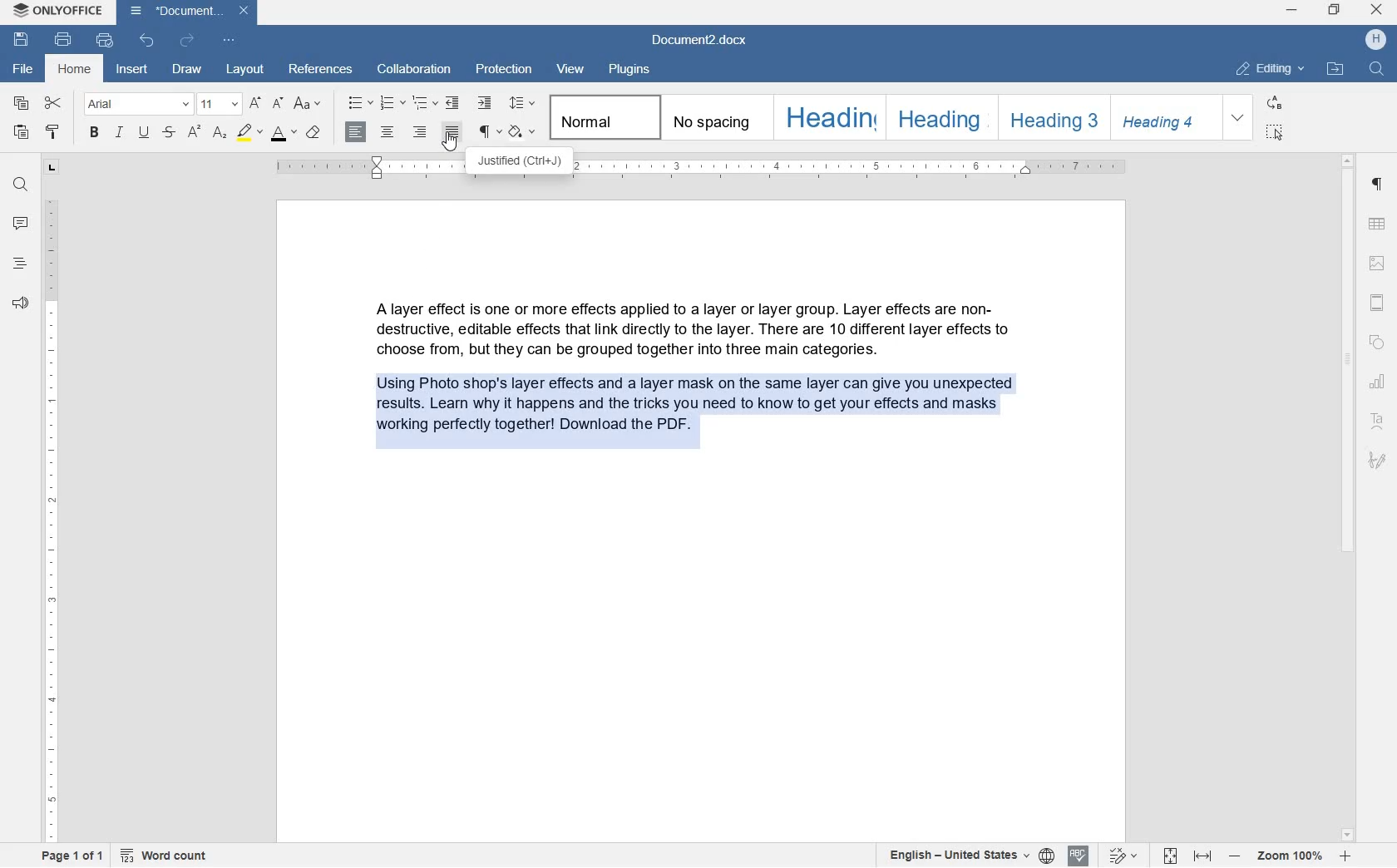 This screenshot has width=1397, height=868. Describe the element at coordinates (188, 13) in the screenshot. I see `DOCUMENT2.DOCX` at that location.